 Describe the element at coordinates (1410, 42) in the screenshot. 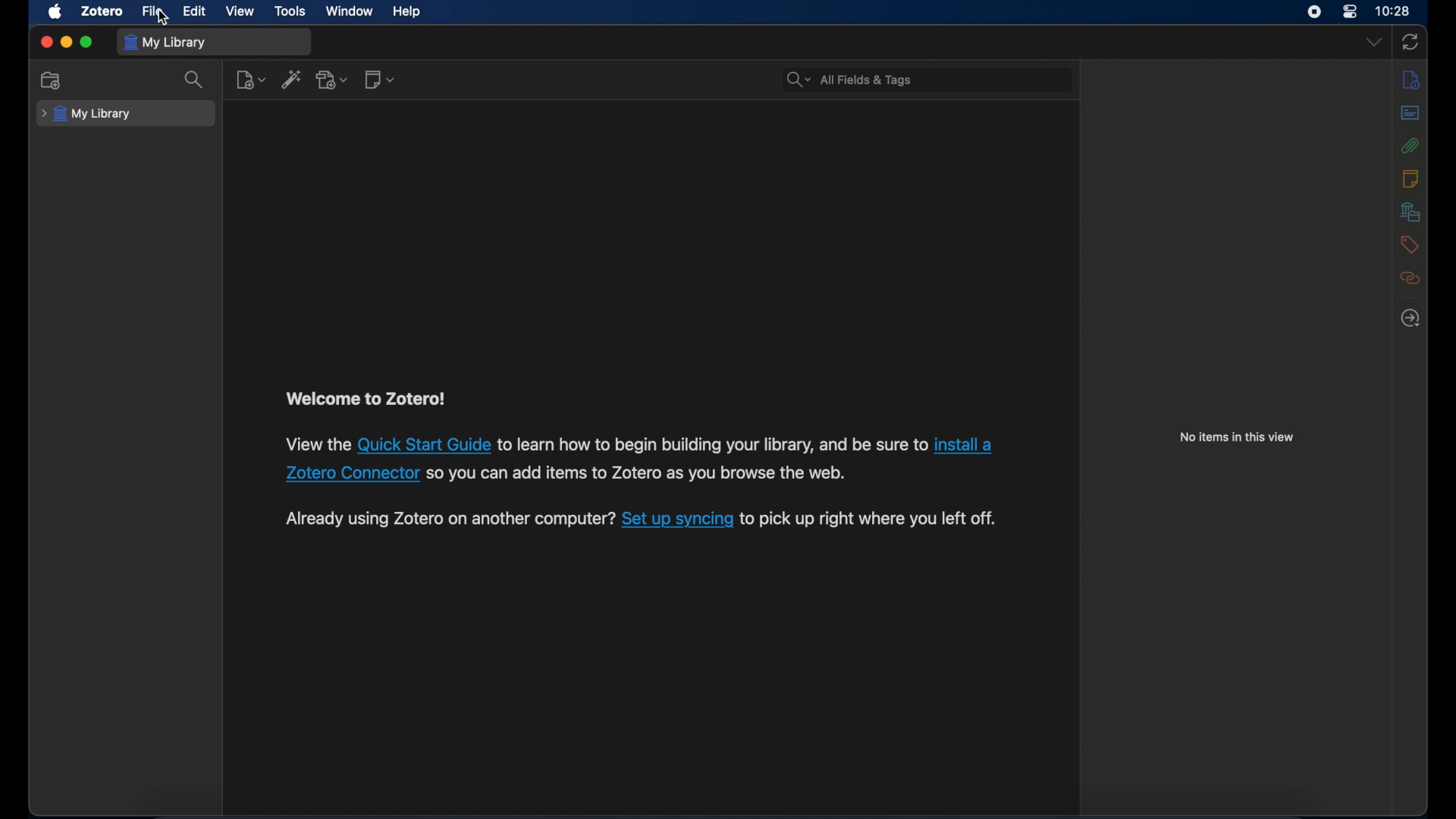

I see `sync` at that location.